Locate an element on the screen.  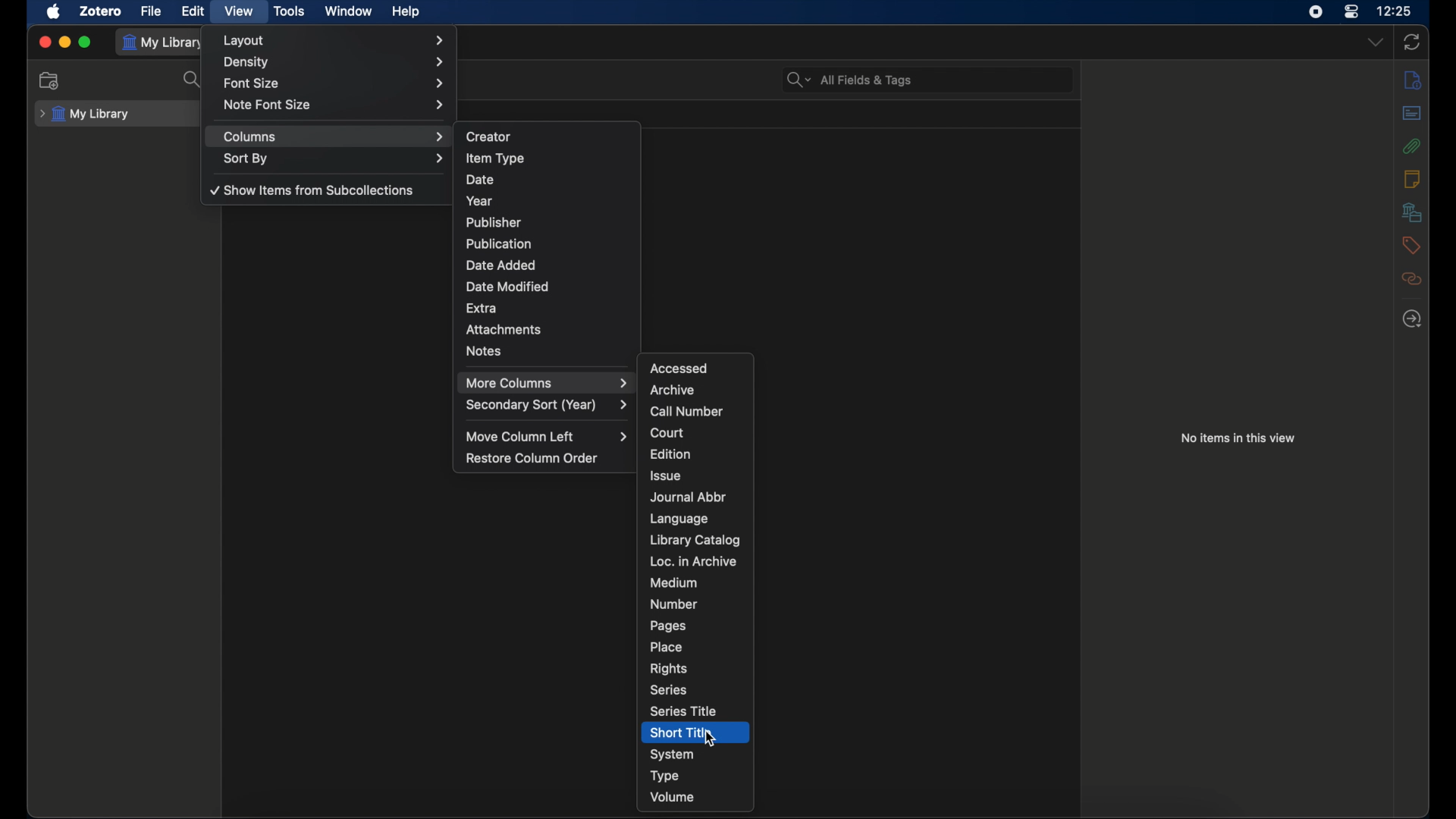
creator is located at coordinates (491, 136).